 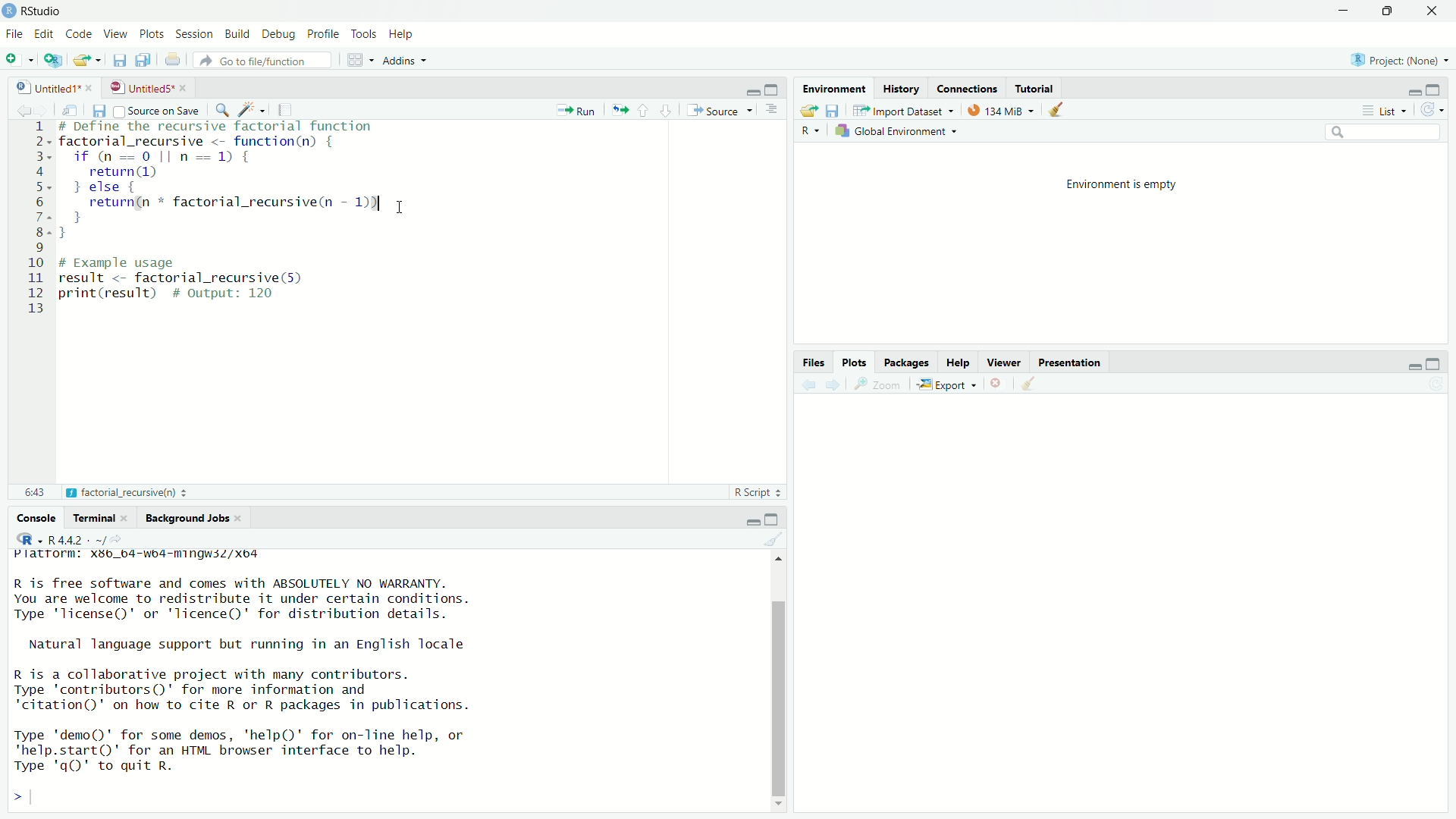 I want to click on Background Jobs, so click(x=191, y=517).